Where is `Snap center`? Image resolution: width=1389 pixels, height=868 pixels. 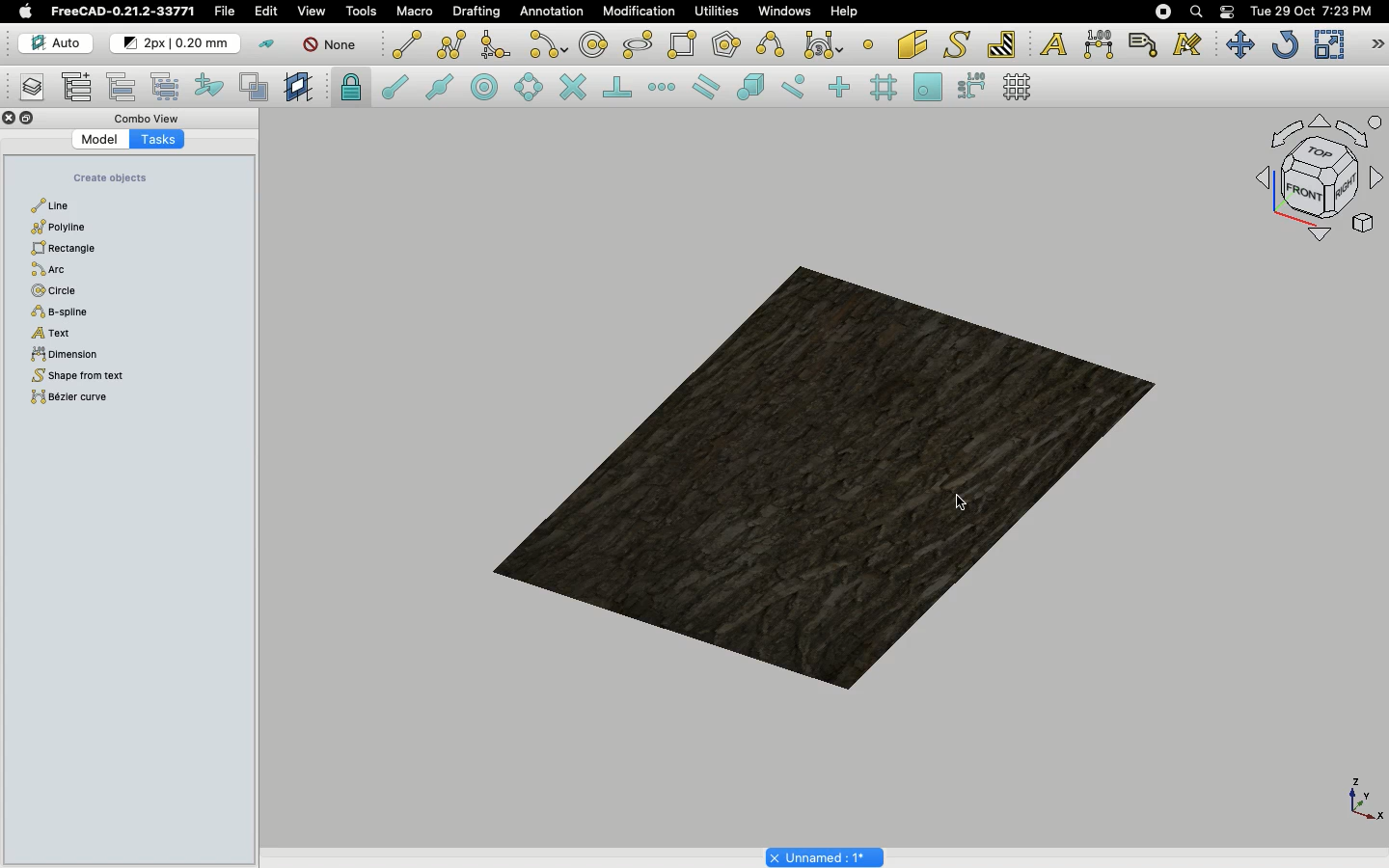 Snap center is located at coordinates (482, 88).